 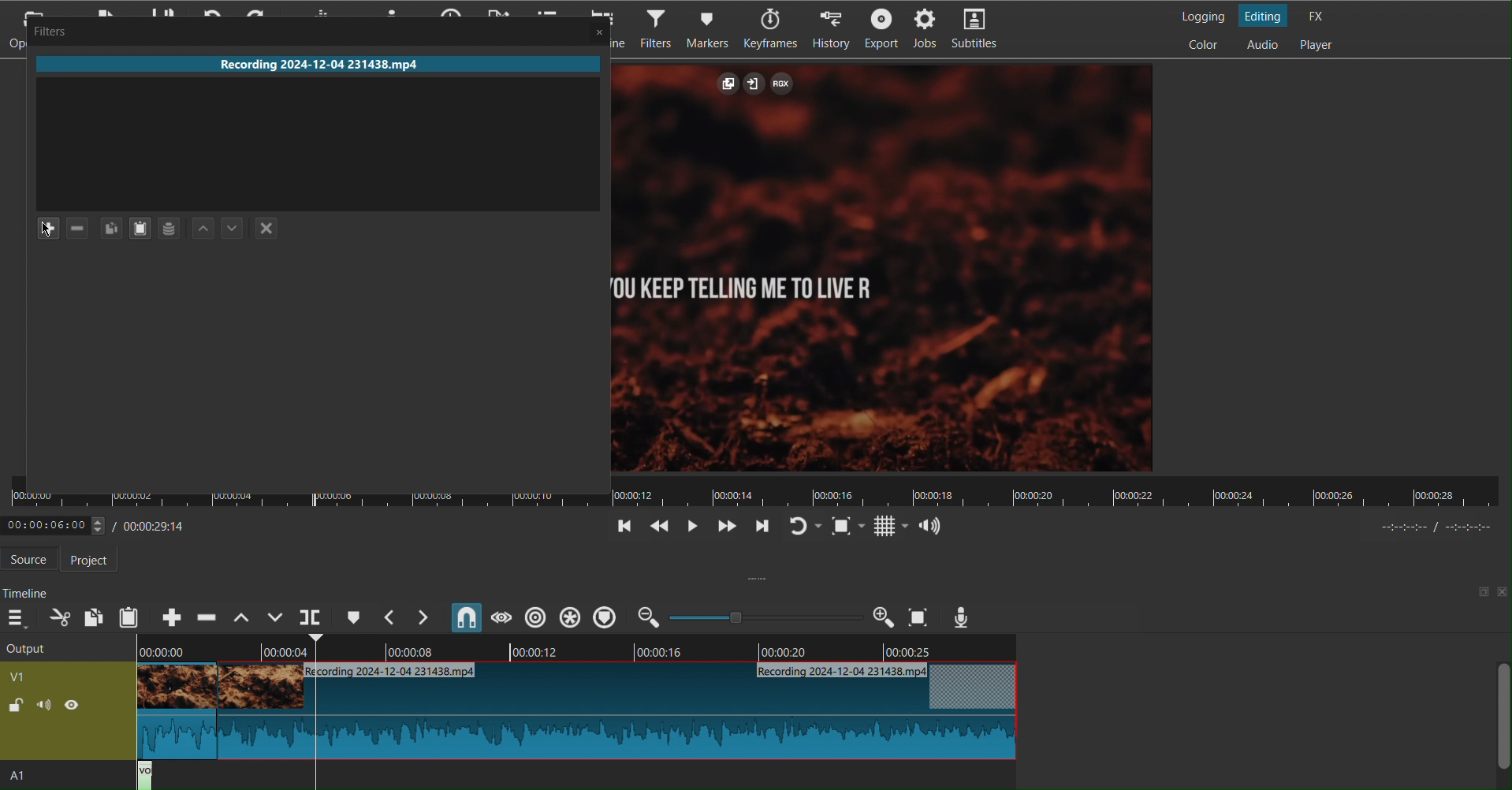 What do you see at coordinates (1499, 724) in the screenshot?
I see `Scroll` at bounding box center [1499, 724].